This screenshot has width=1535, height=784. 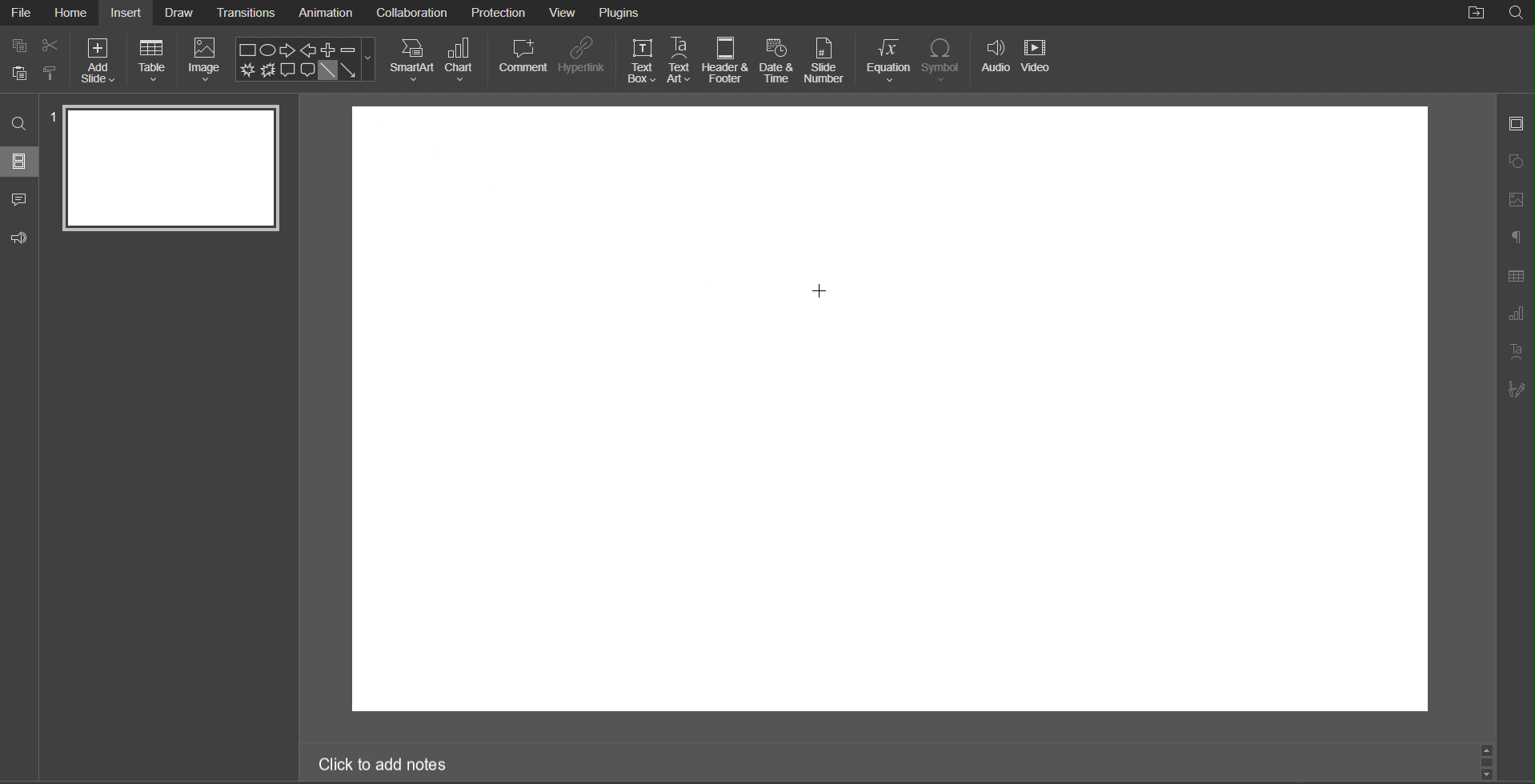 I want to click on Cursor, so click(x=823, y=293).